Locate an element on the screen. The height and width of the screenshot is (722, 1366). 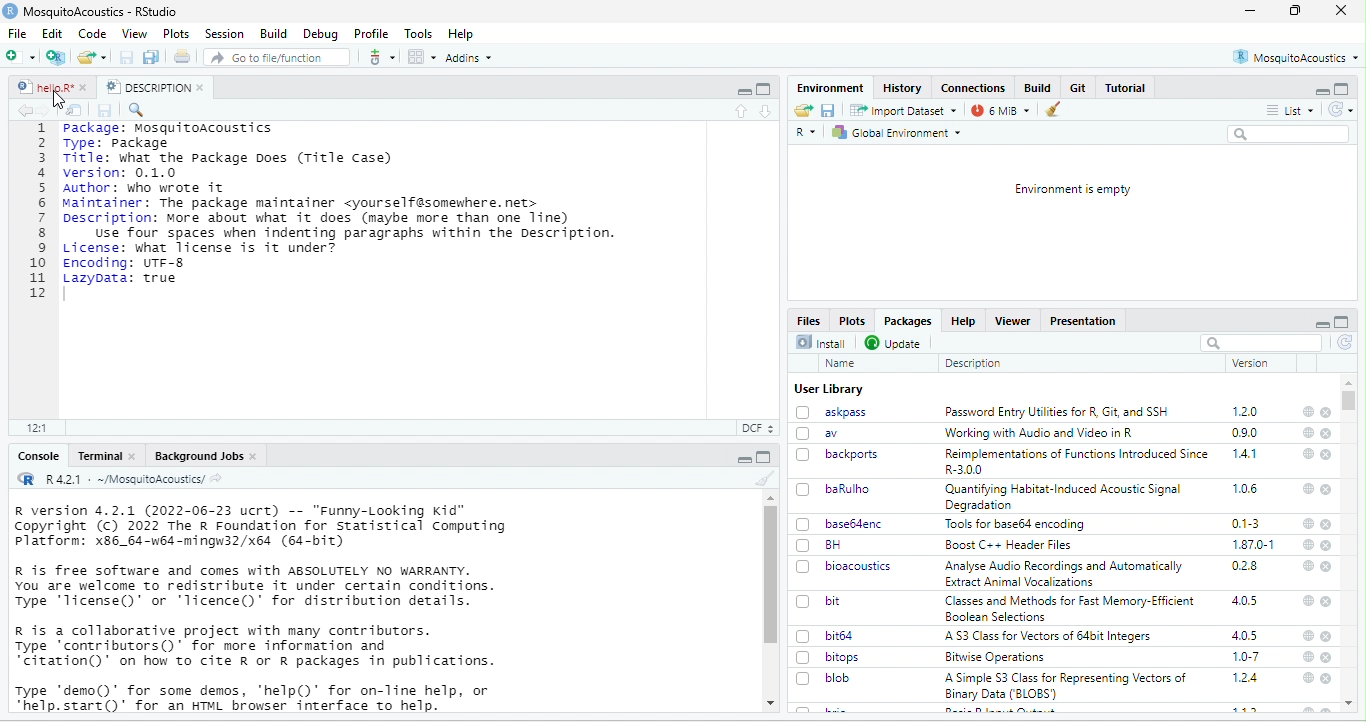
Connections is located at coordinates (973, 88).